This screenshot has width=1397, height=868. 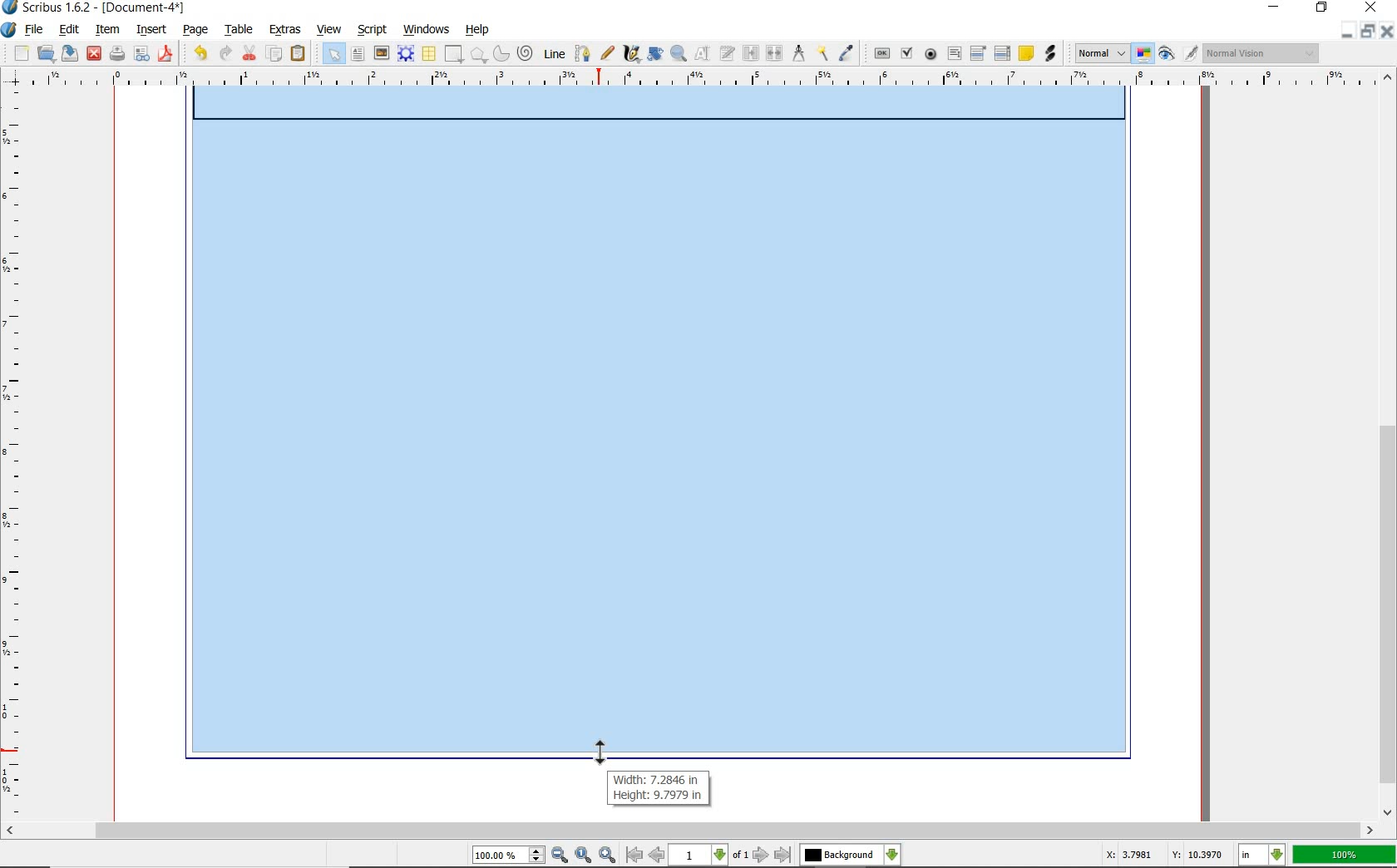 What do you see at coordinates (358, 56) in the screenshot?
I see `text frame` at bounding box center [358, 56].